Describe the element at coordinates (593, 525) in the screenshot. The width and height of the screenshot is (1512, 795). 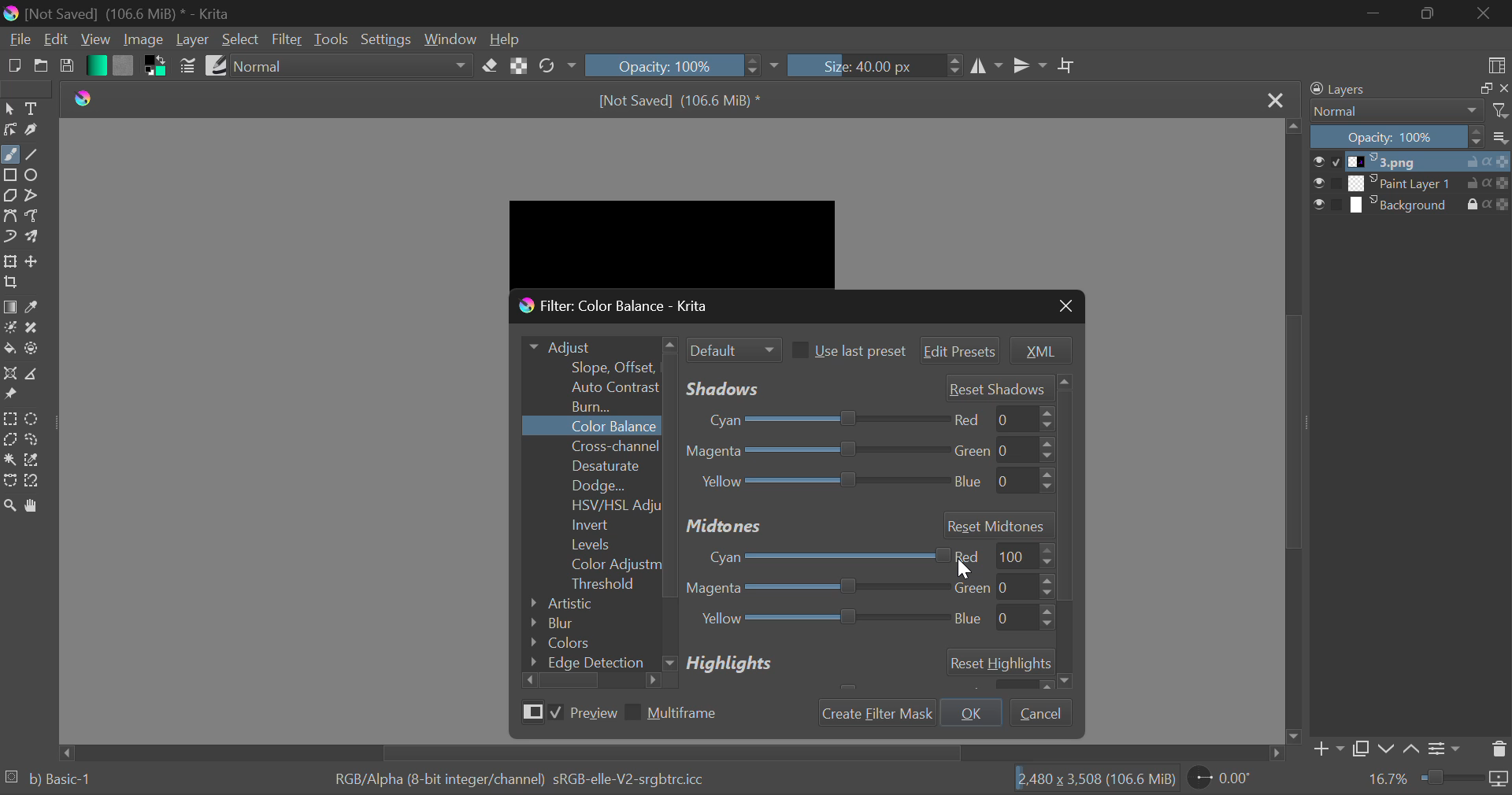
I see `Invert` at that location.